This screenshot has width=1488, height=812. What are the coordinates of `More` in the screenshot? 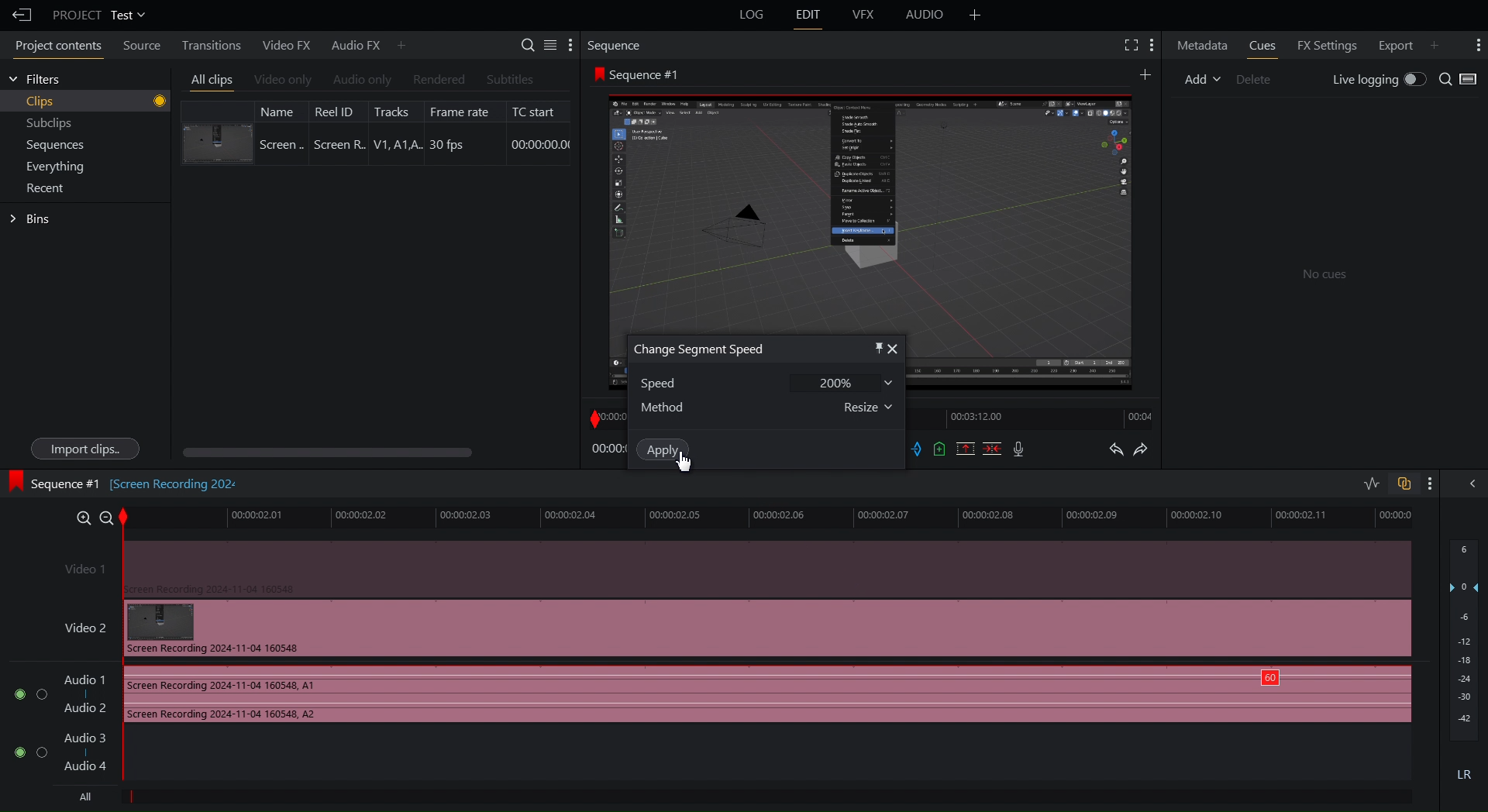 It's located at (1153, 45).